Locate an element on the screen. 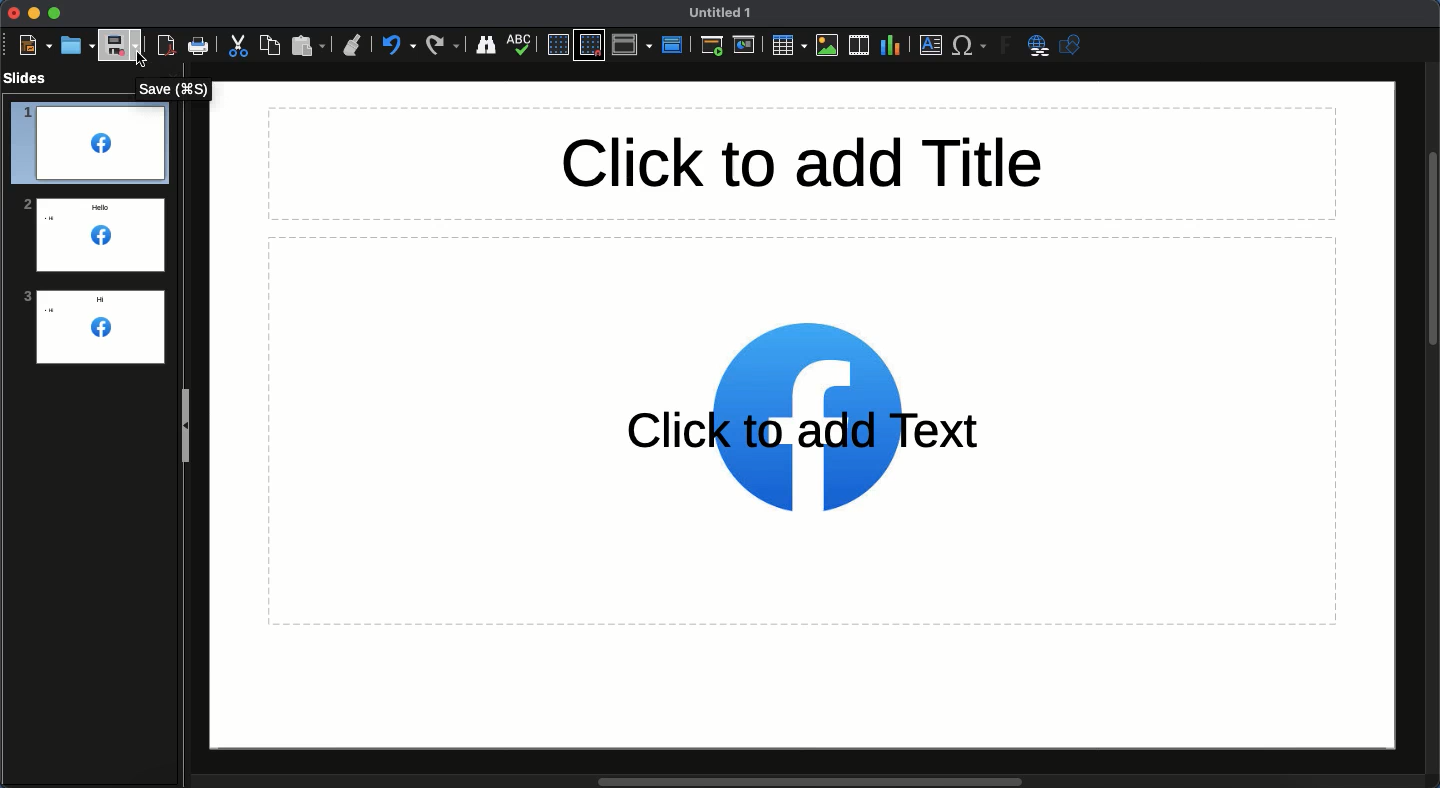  Table is located at coordinates (789, 46).